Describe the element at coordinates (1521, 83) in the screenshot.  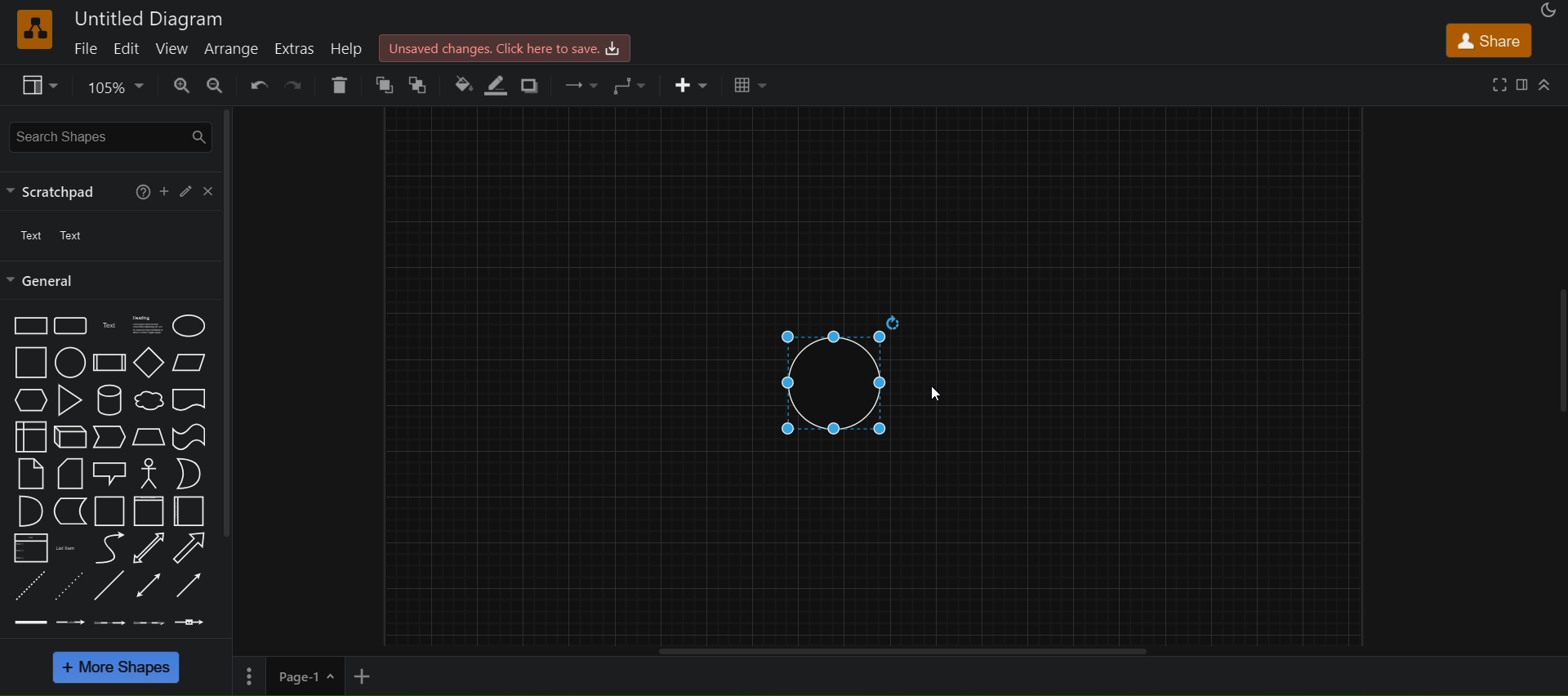
I see `format` at that location.